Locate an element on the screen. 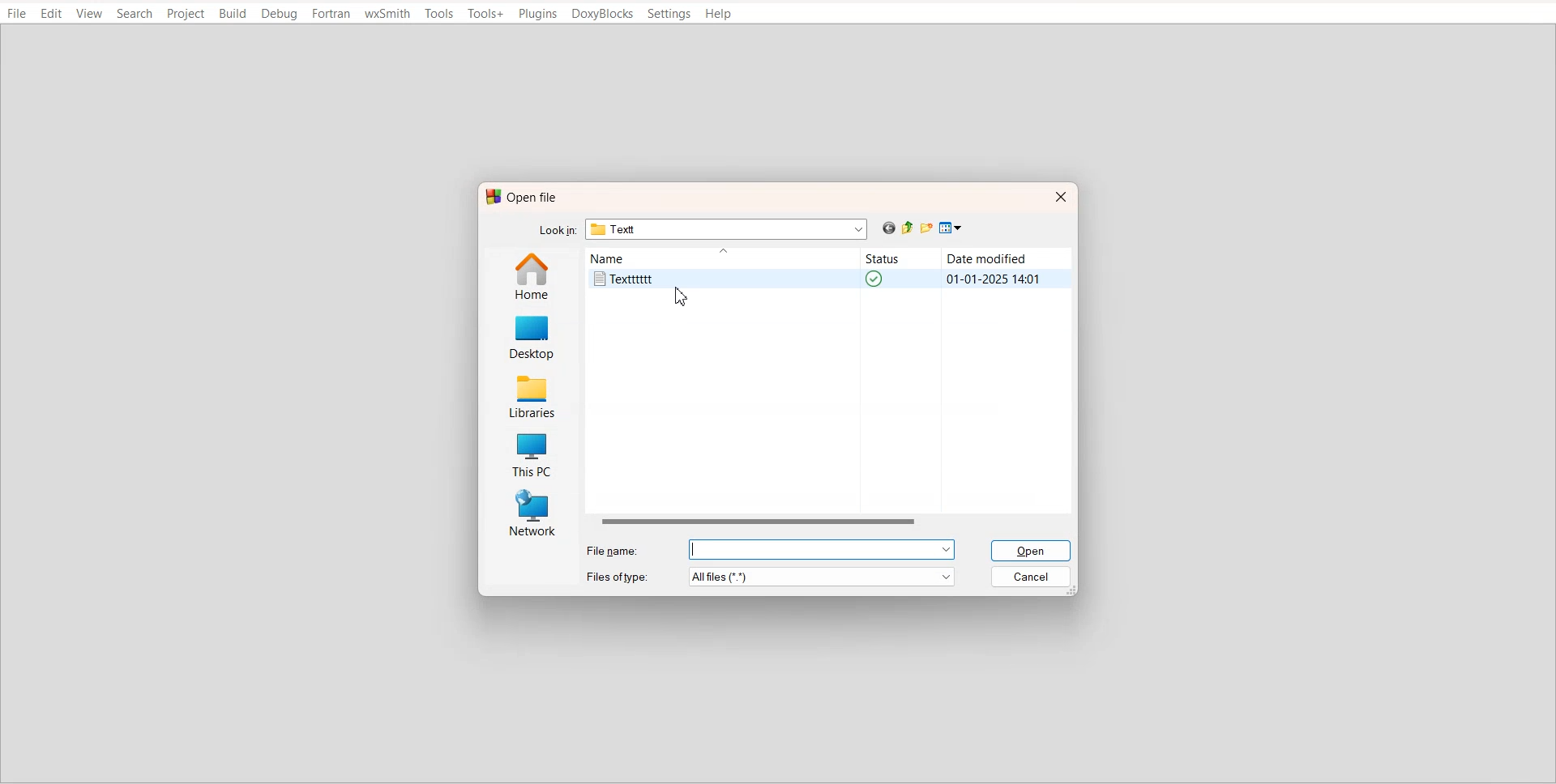 This screenshot has height=784, width=1556. Edit is located at coordinates (51, 13).